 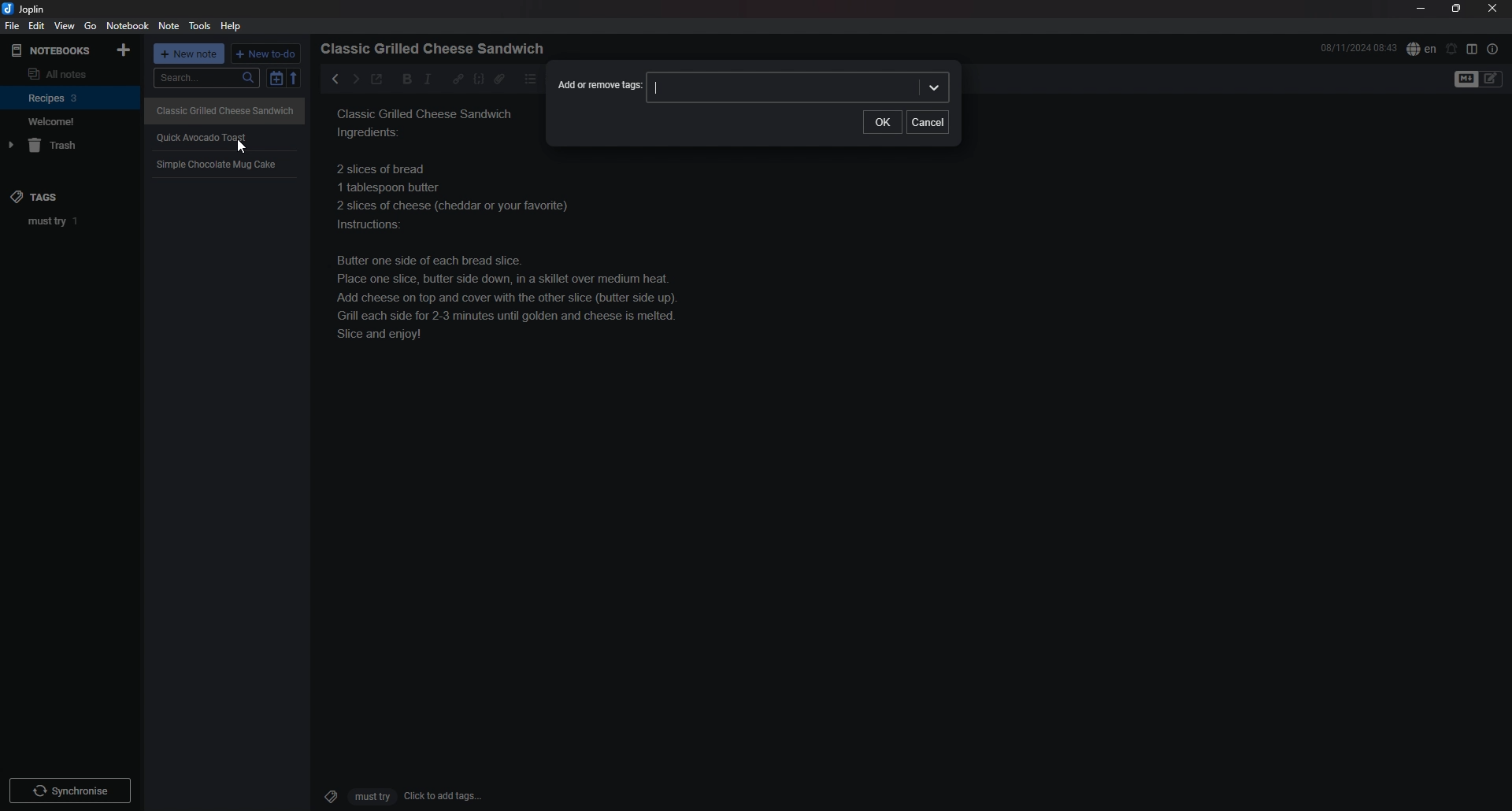 What do you see at coordinates (11, 27) in the screenshot?
I see `file` at bounding box center [11, 27].